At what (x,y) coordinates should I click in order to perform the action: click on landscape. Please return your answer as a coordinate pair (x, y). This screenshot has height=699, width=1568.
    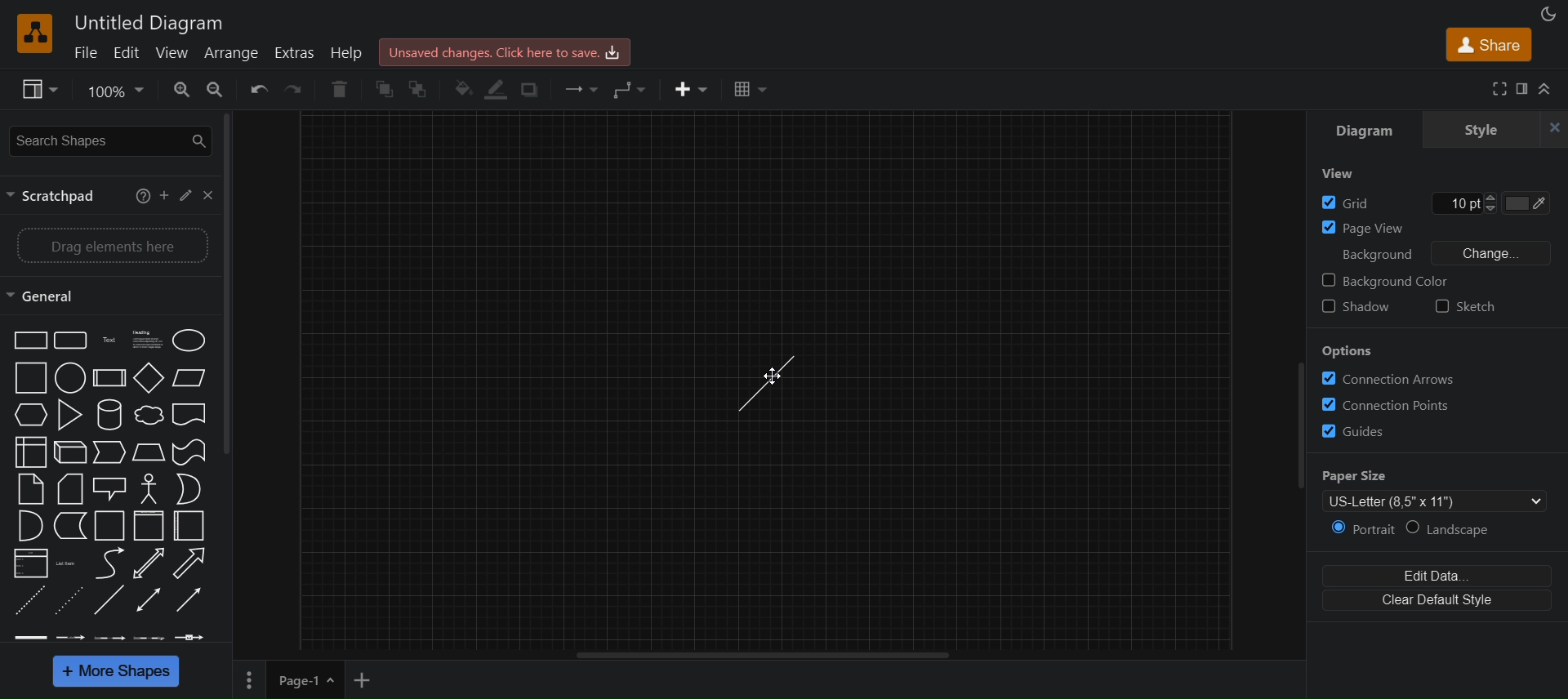
    Looking at the image, I should click on (1456, 529).